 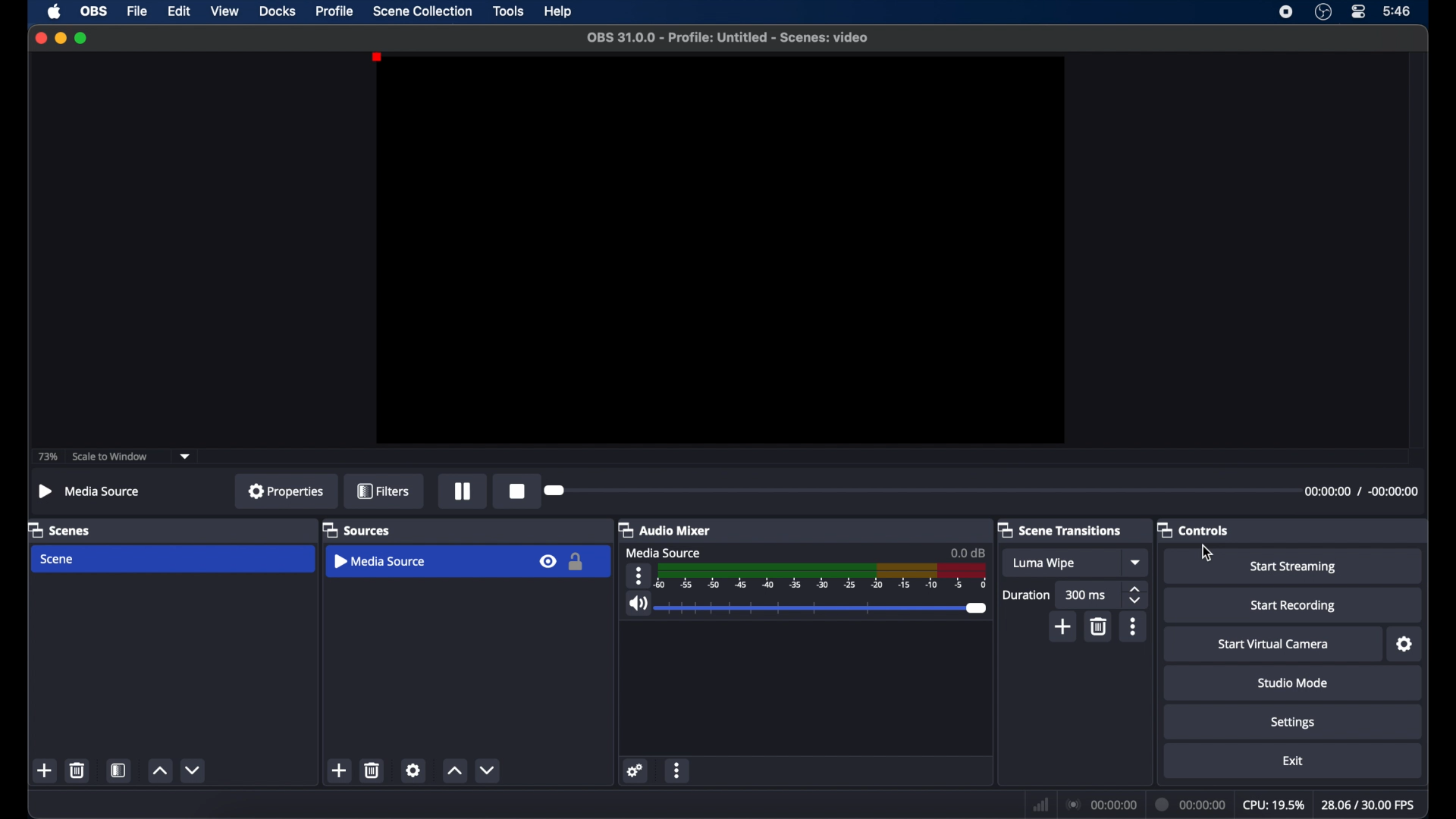 What do you see at coordinates (822, 576) in the screenshot?
I see `timeline ` at bounding box center [822, 576].